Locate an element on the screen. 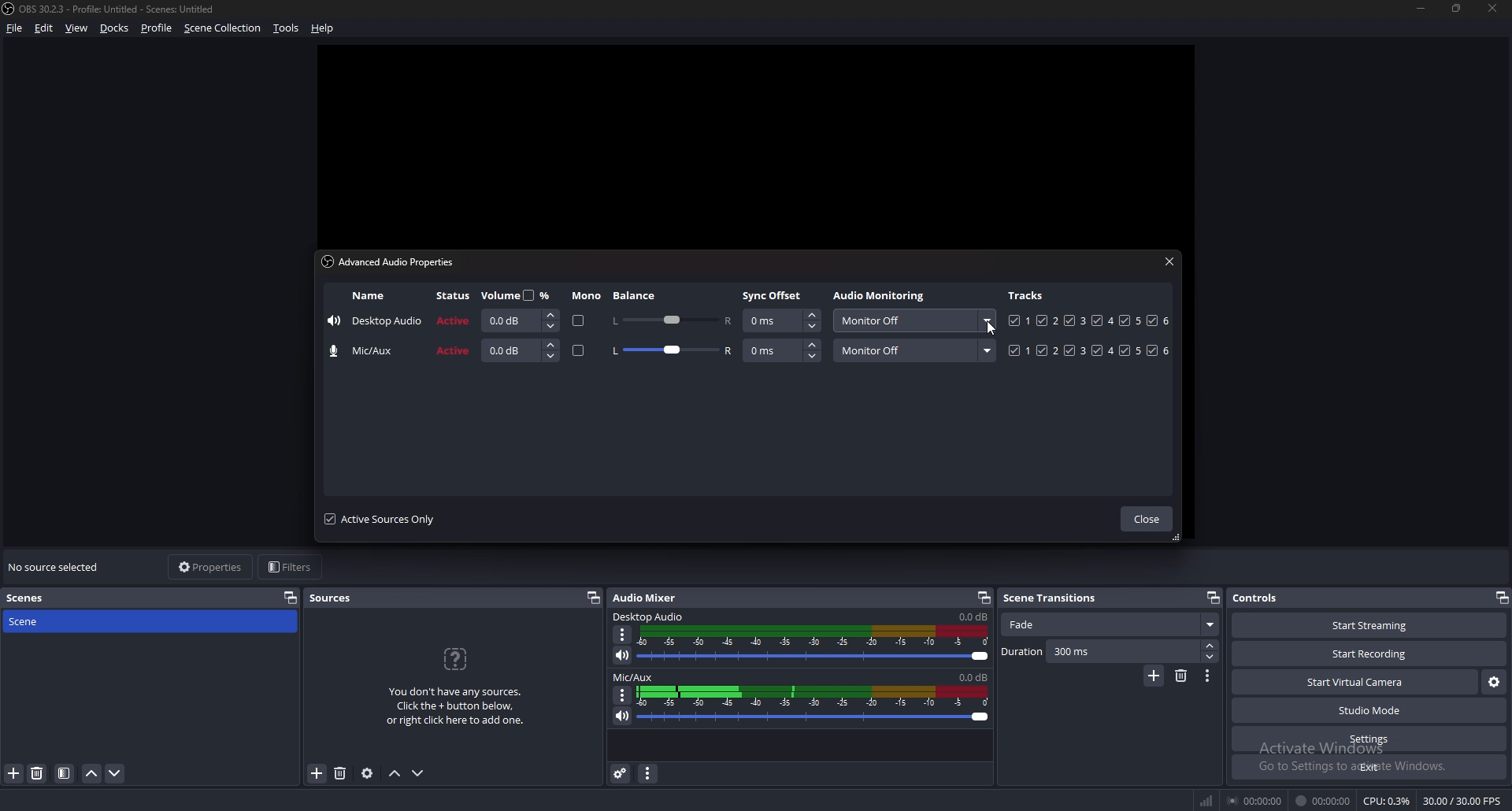  mute is located at coordinates (623, 655).